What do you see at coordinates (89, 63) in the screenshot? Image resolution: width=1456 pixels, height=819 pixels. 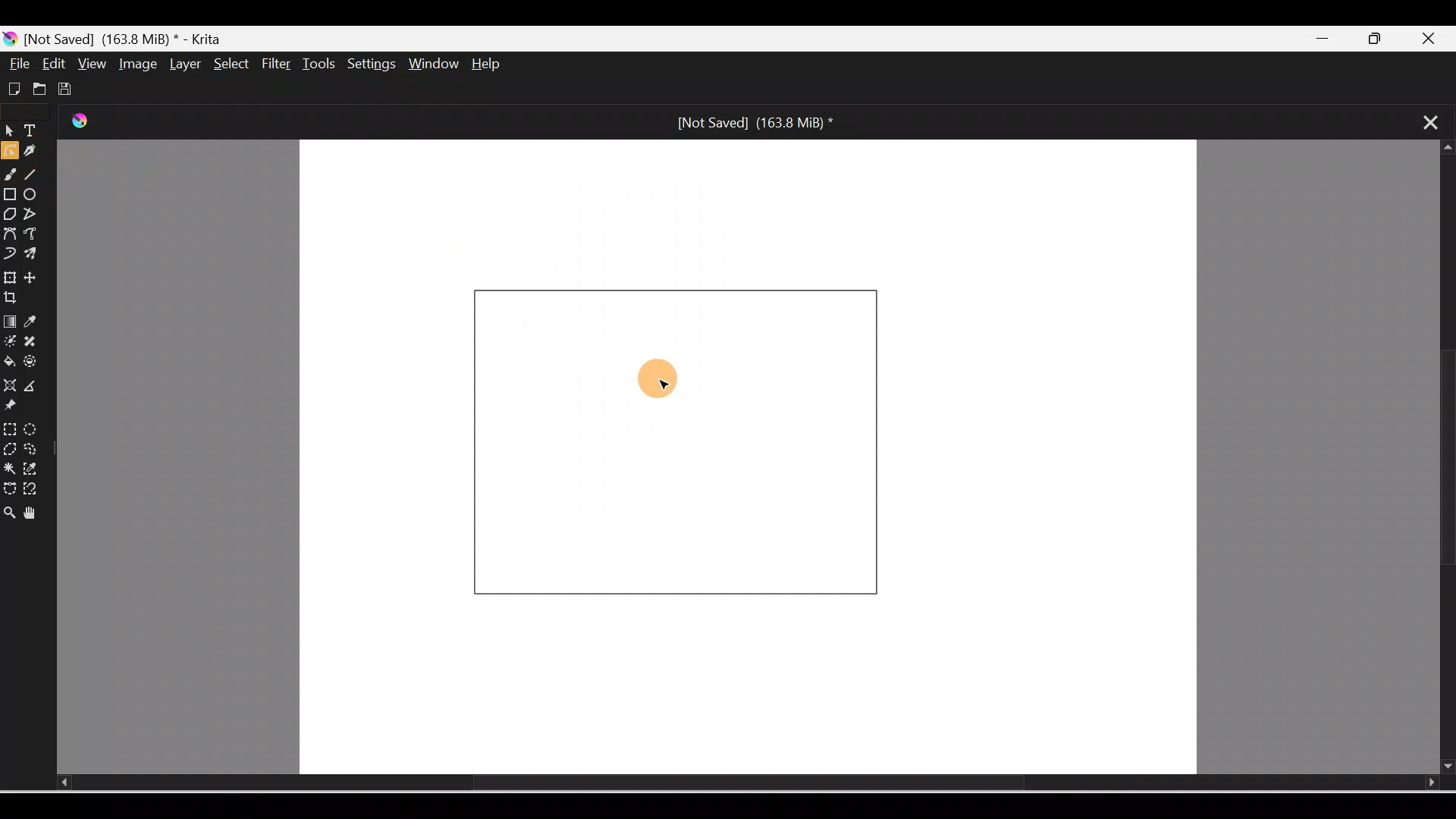 I see `View` at bounding box center [89, 63].